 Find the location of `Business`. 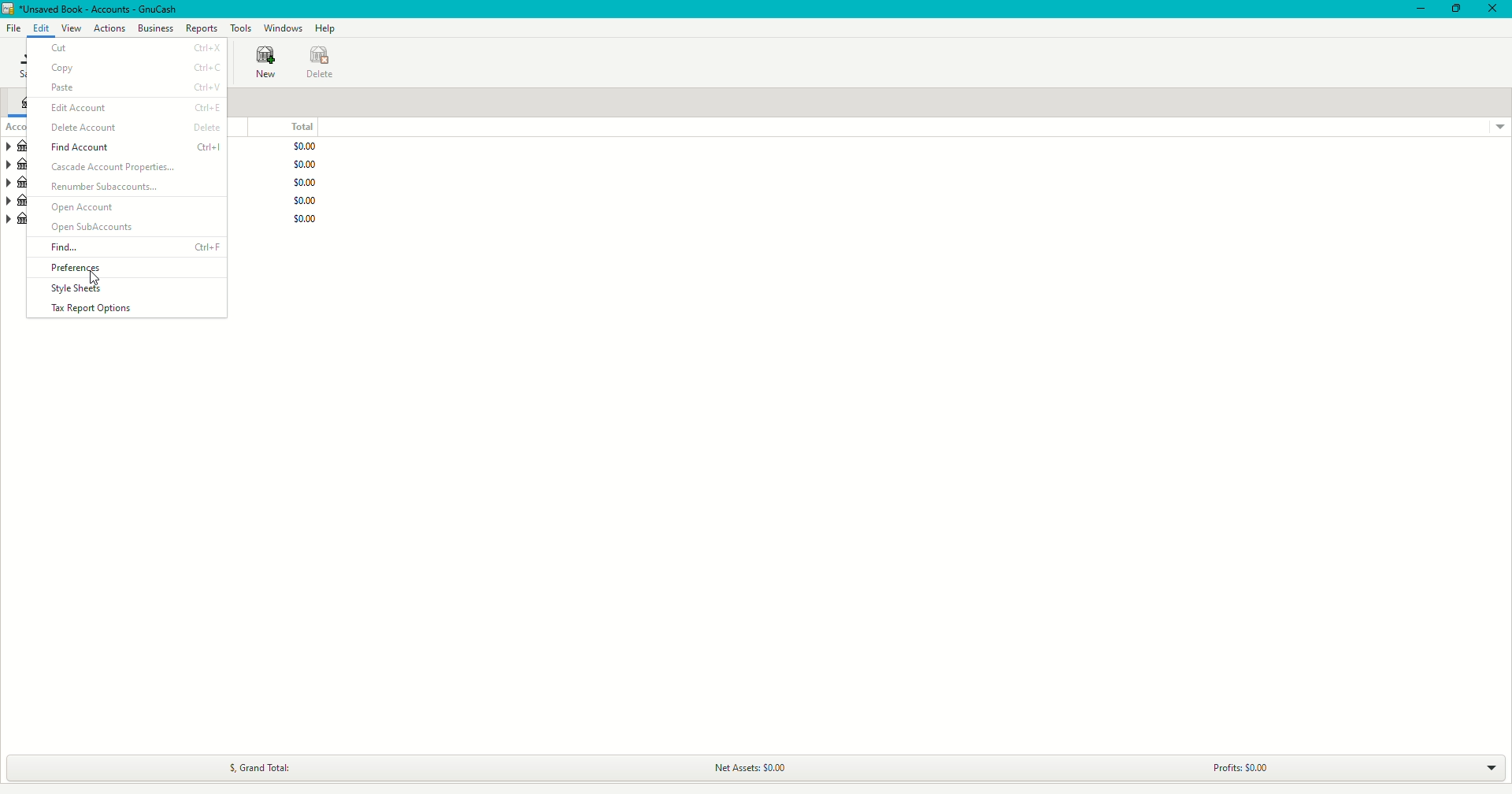

Business is located at coordinates (155, 28).